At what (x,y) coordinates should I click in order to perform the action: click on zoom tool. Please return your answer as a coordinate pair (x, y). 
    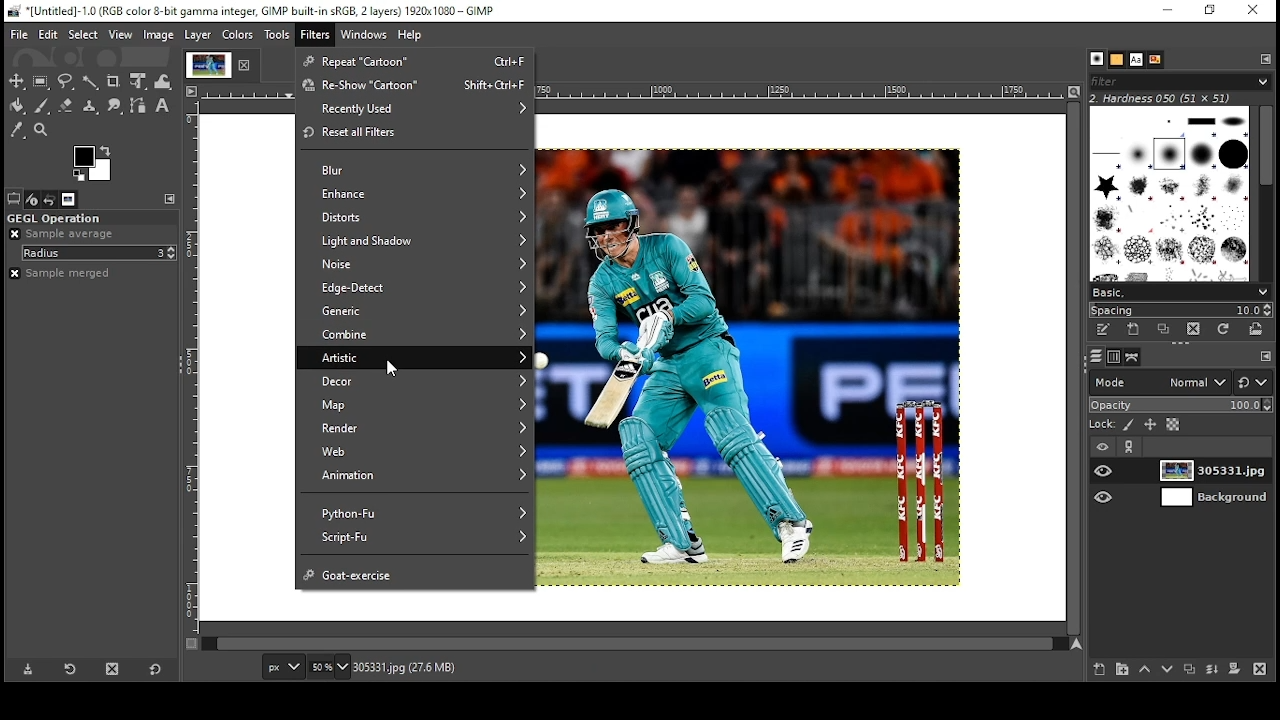
    Looking at the image, I should click on (42, 130).